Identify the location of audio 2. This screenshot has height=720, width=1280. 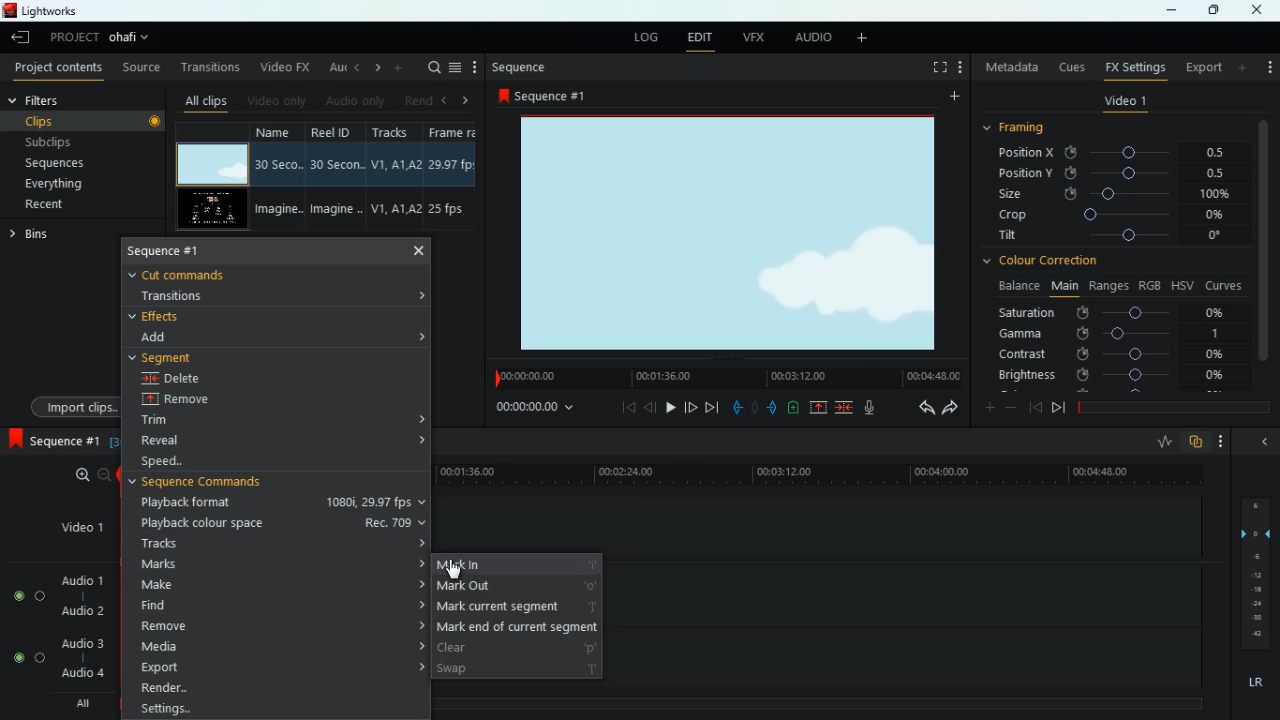
(78, 611).